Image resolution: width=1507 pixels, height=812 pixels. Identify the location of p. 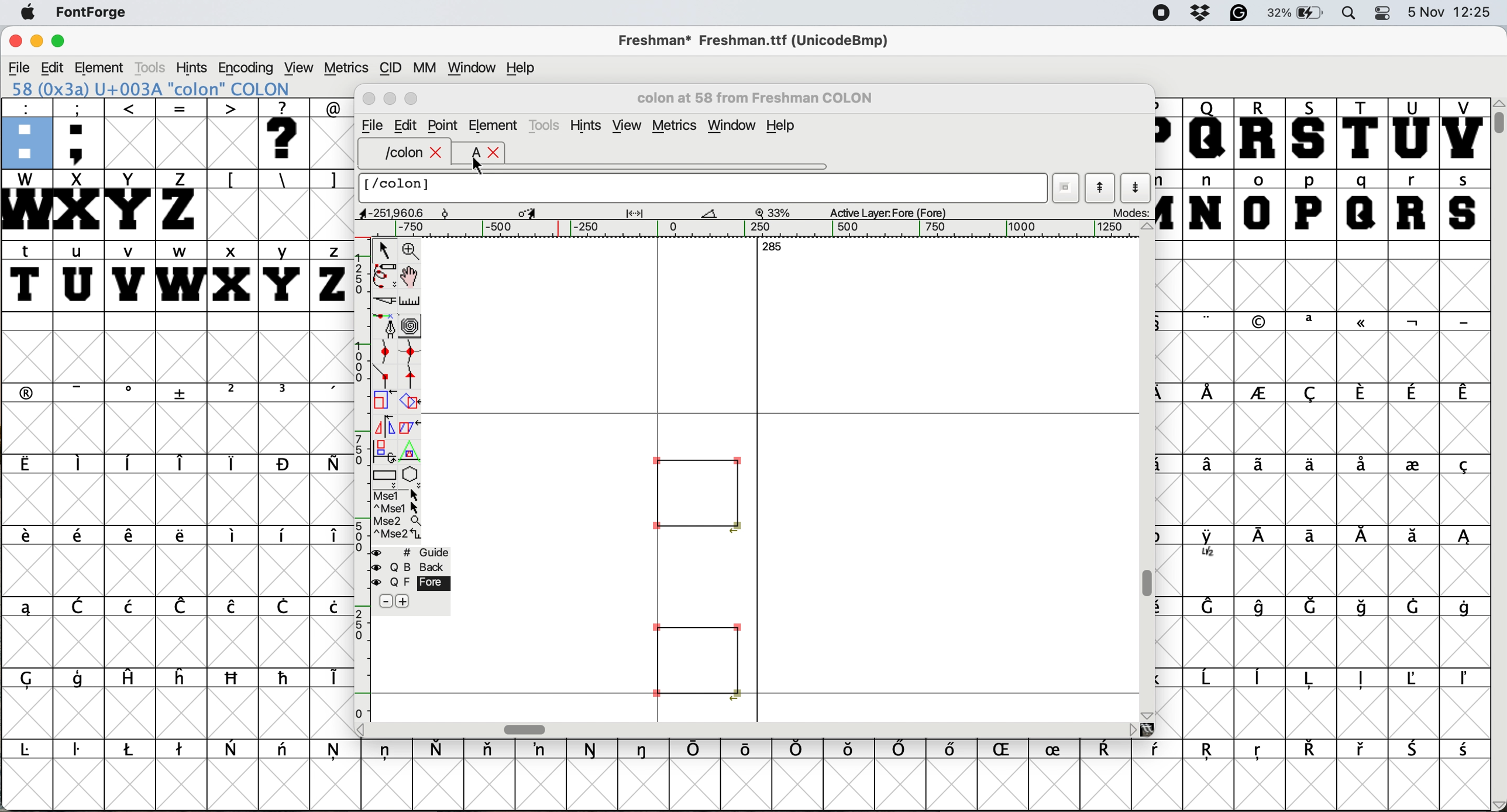
(1309, 204).